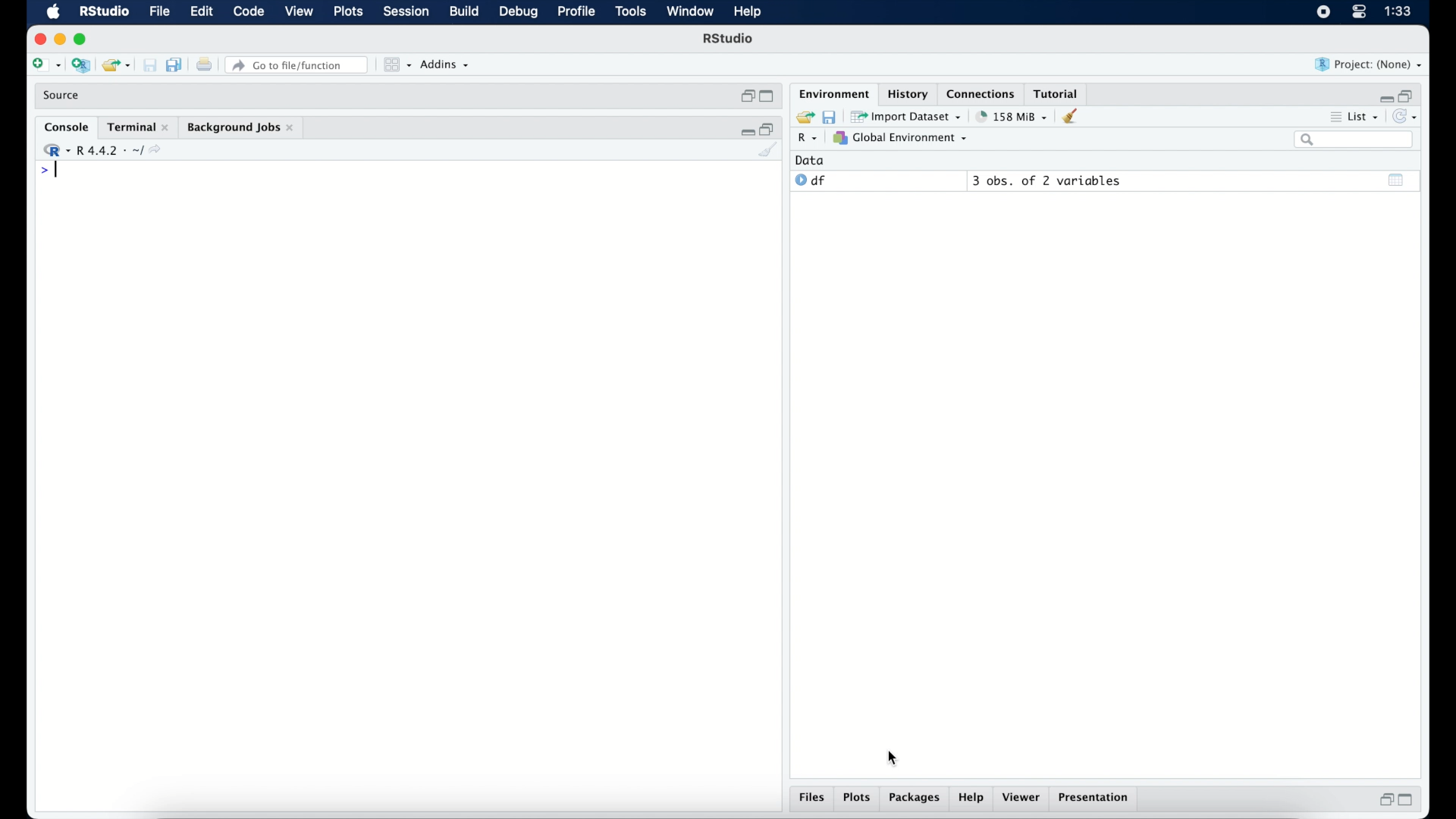  I want to click on 158 MB, so click(1013, 116).